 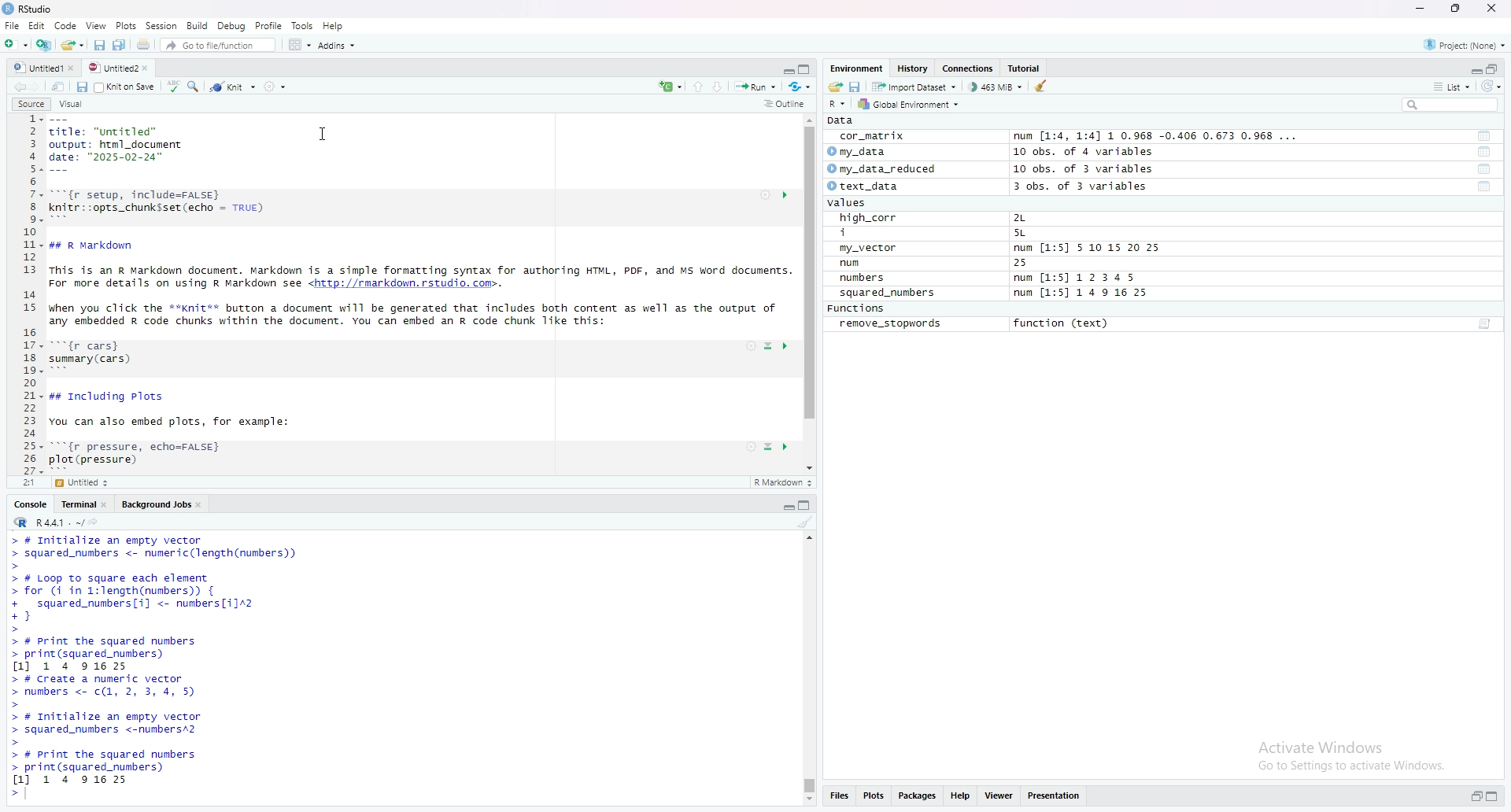 What do you see at coordinates (1081, 293) in the screenshot?
I see `num [1:5] 1 4 9 16 25` at bounding box center [1081, 293].